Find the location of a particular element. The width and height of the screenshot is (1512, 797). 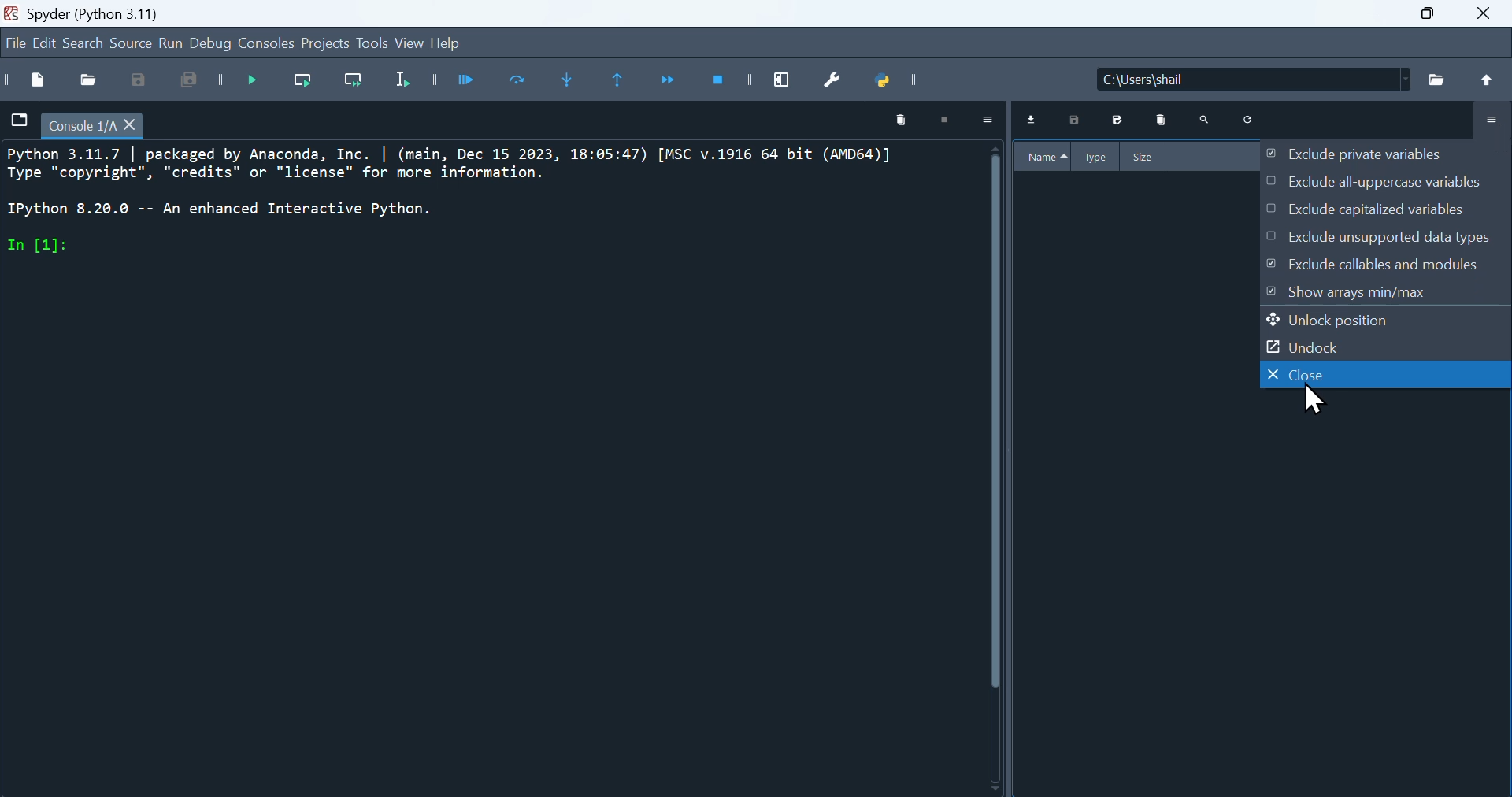

maximise current window is located at coordinates (787, 78).